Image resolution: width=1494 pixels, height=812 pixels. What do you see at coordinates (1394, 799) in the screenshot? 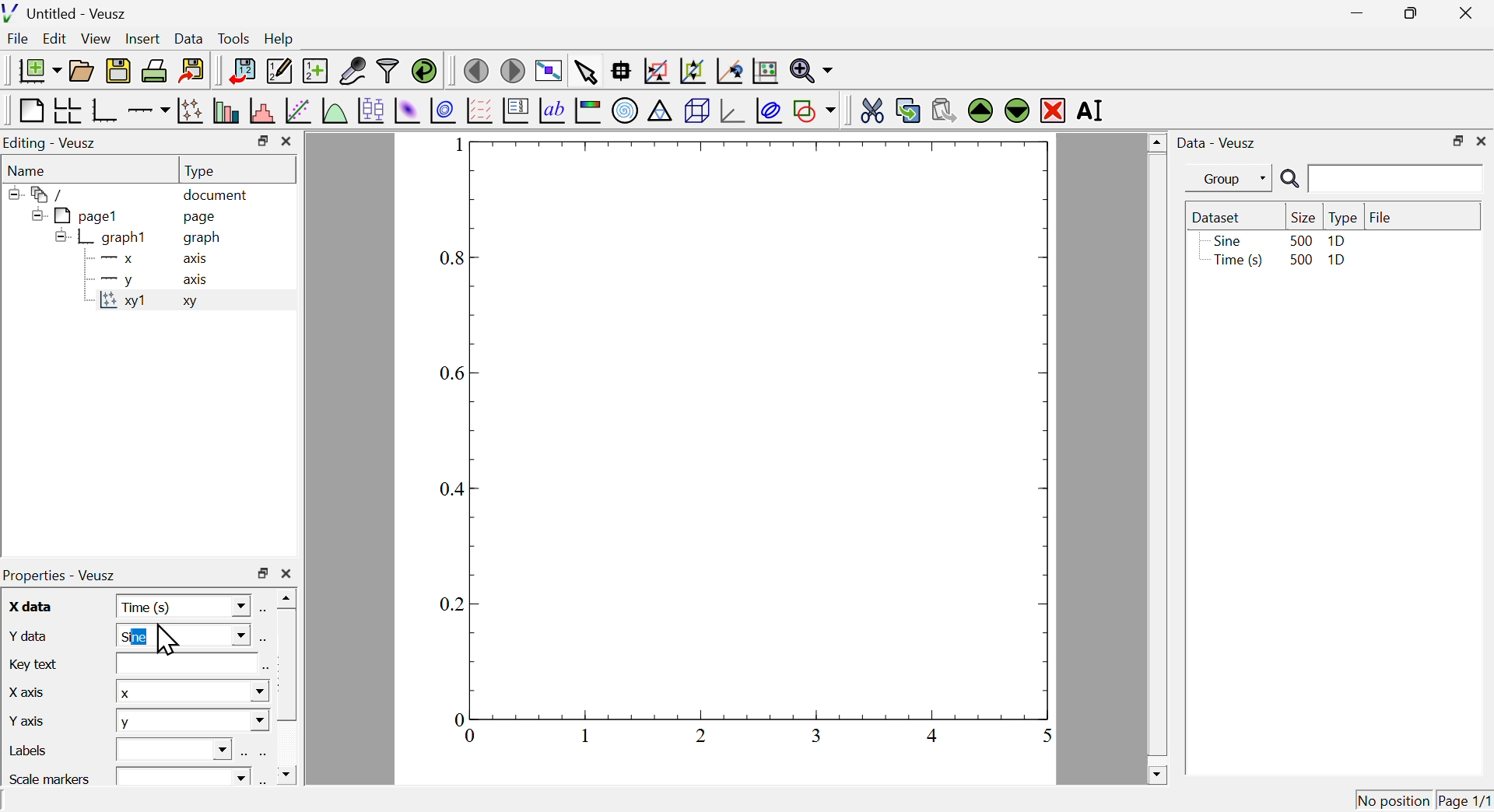
I see `no position` at bounding box center [1394, 799].